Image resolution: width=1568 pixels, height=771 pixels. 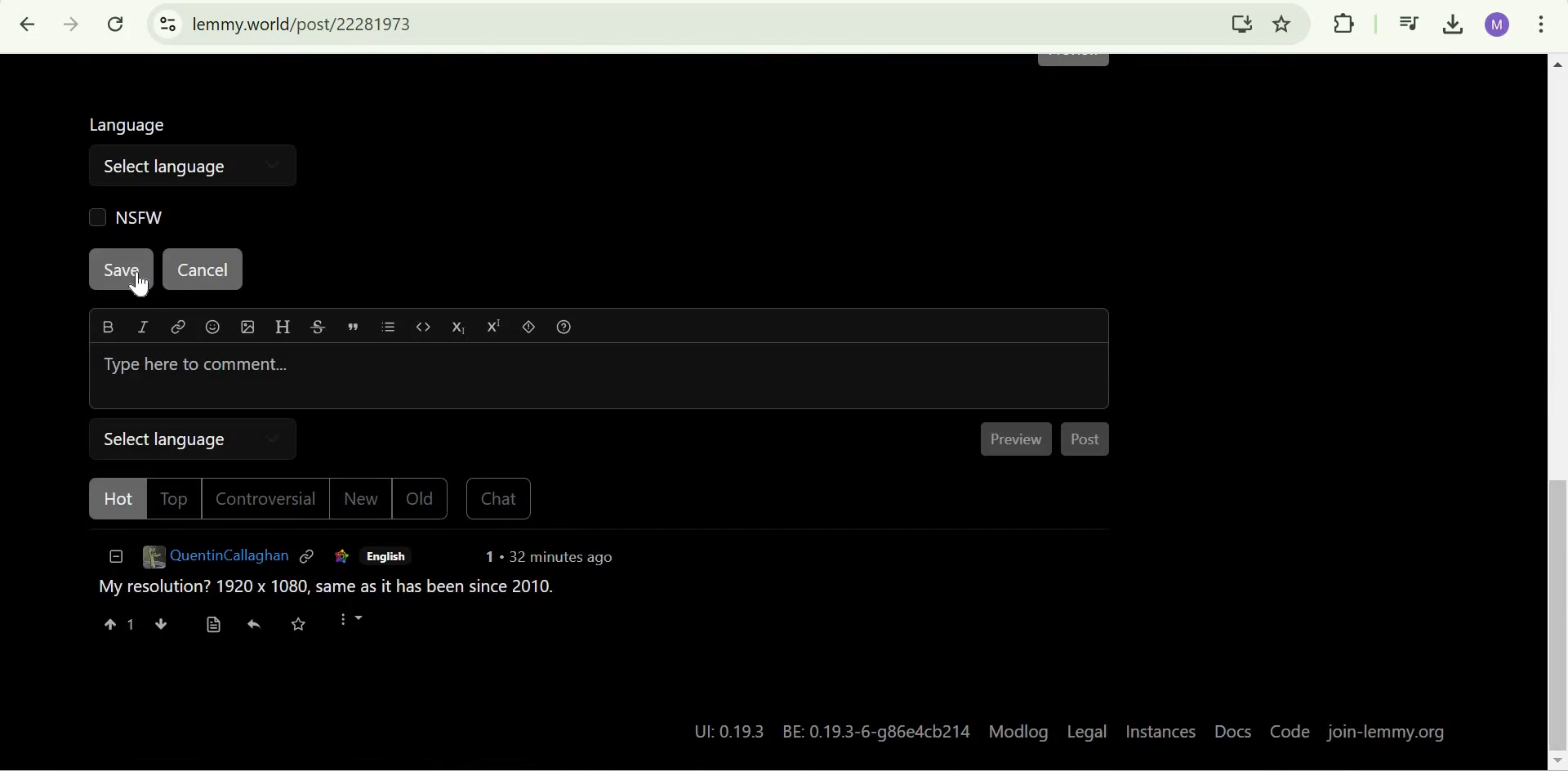 I want to click on list, so click(x=394, y=329).